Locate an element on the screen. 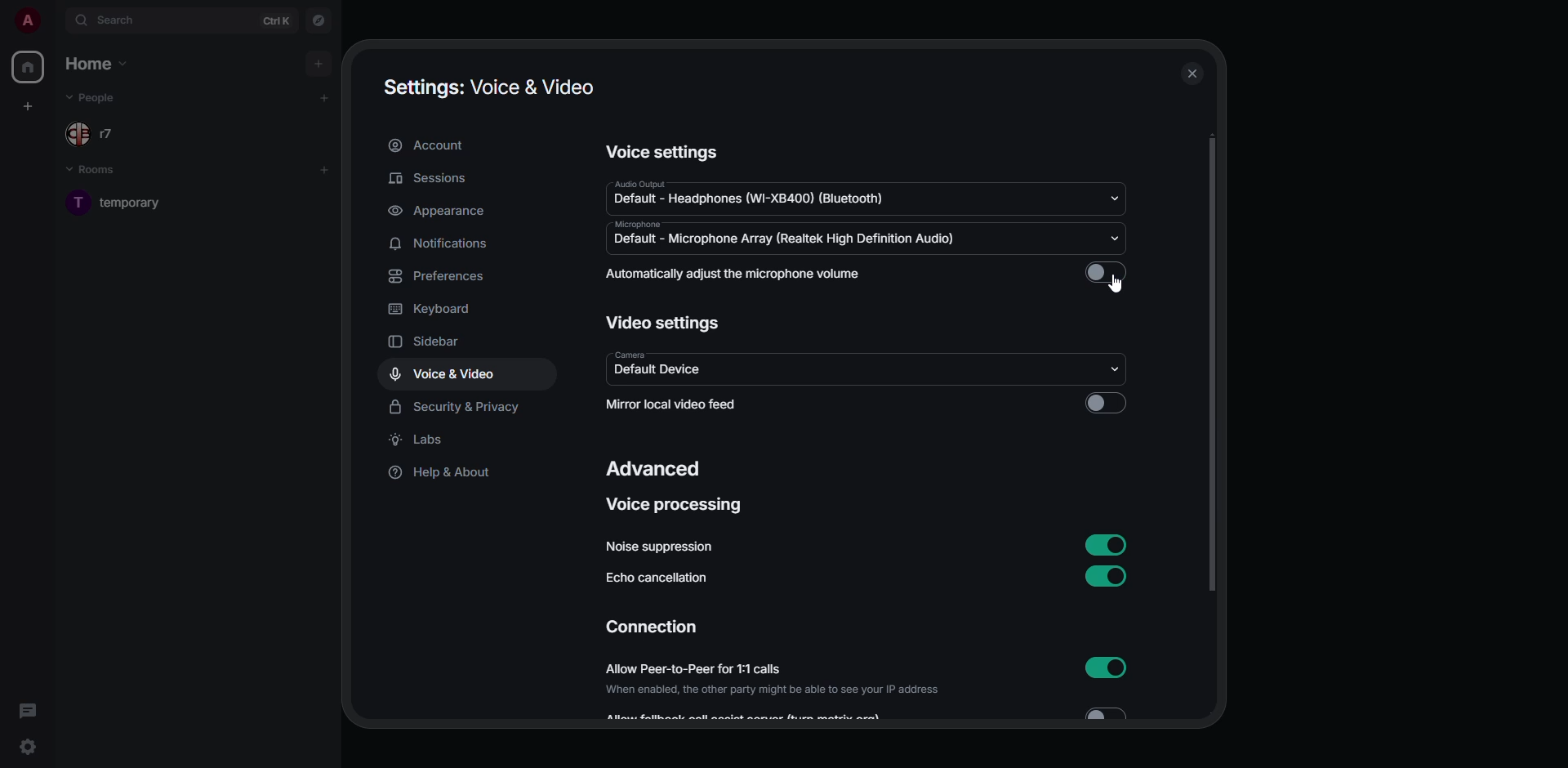 The width and height of the screenshot is (1568, 768). add is located at coordinates (325, 97).